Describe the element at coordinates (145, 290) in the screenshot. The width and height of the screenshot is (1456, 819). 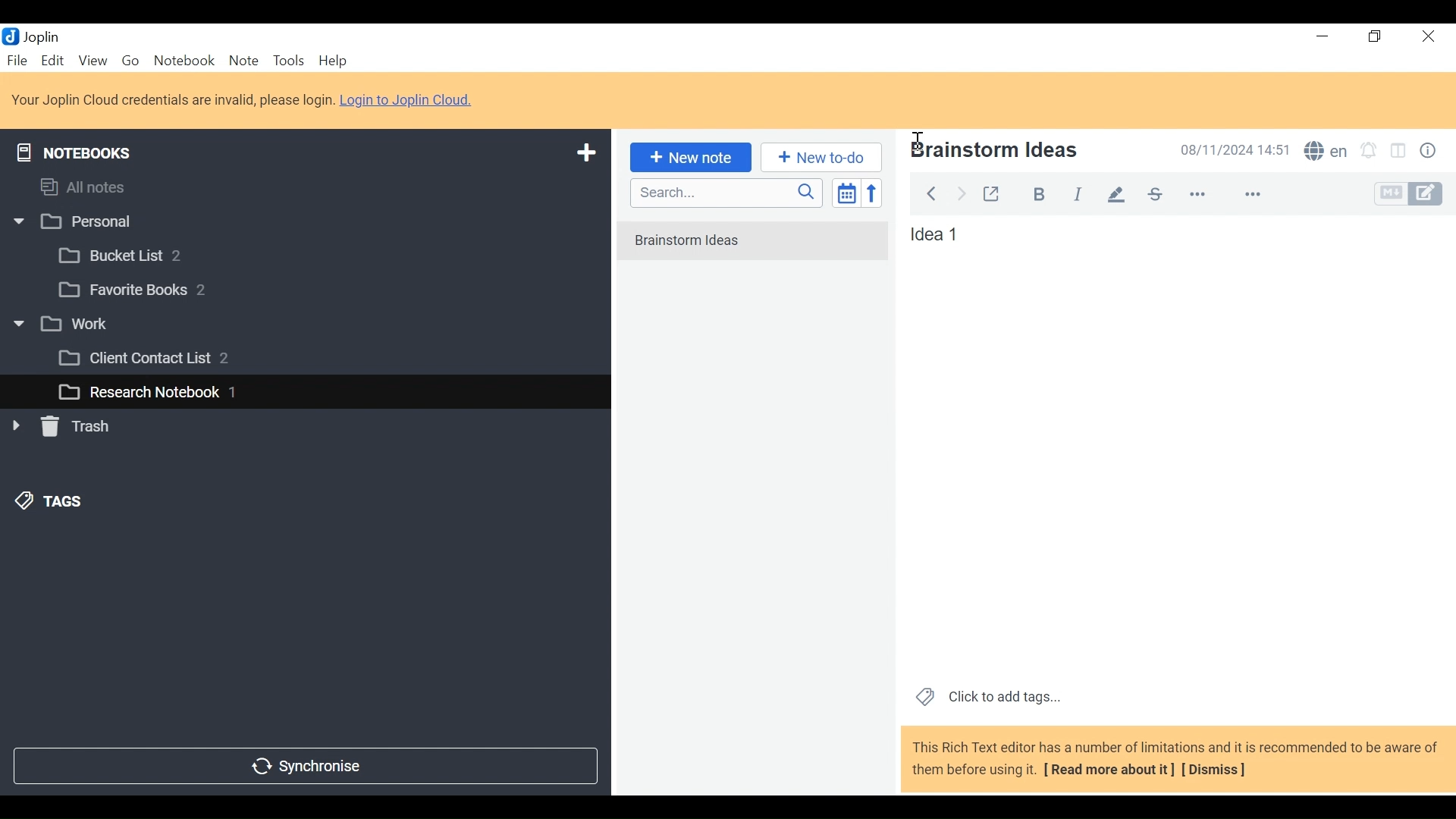
I see `[3 Favorite Books 2` at that location.